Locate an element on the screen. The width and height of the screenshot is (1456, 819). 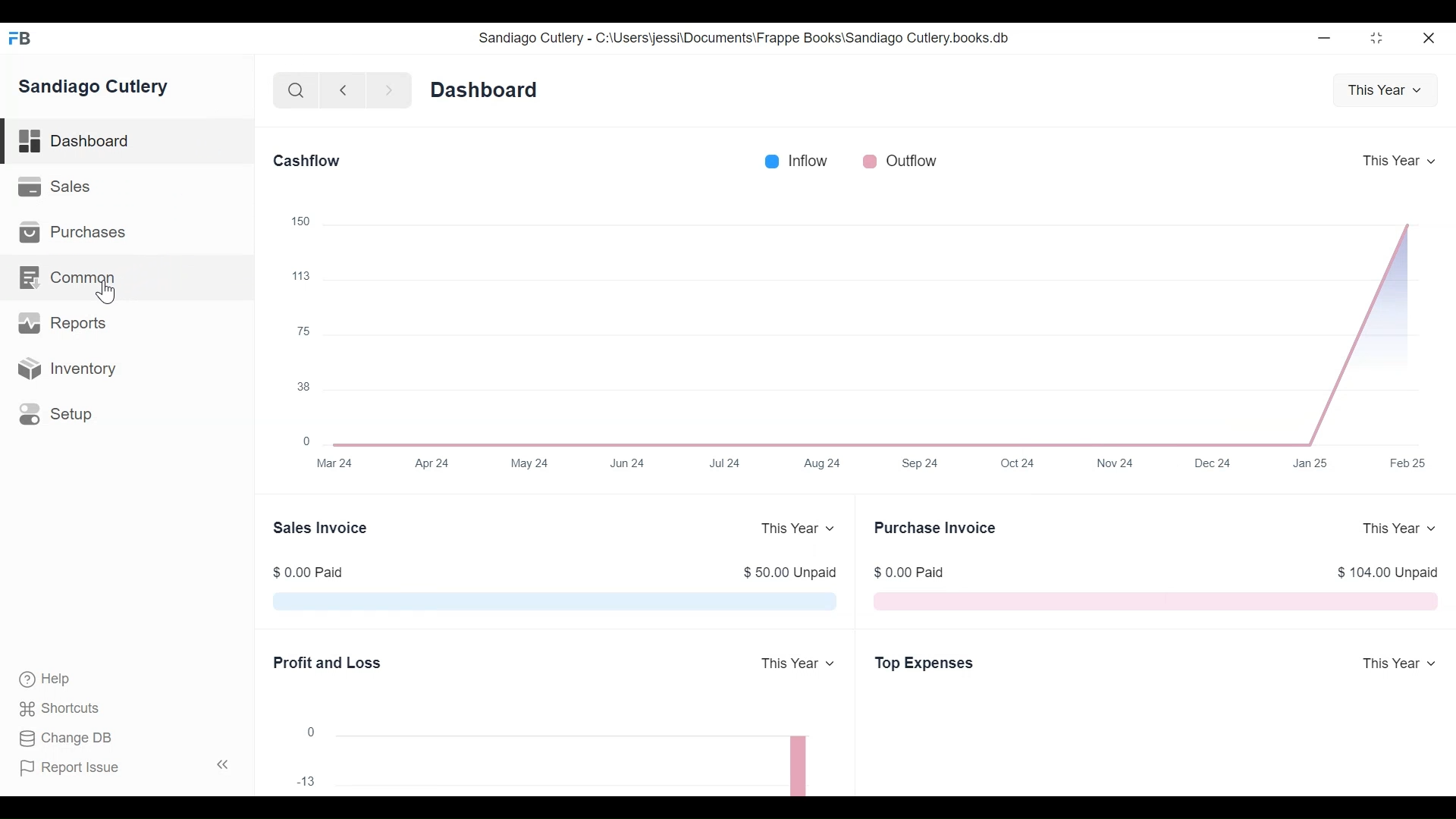
38 is located at coordinates (303, 385).